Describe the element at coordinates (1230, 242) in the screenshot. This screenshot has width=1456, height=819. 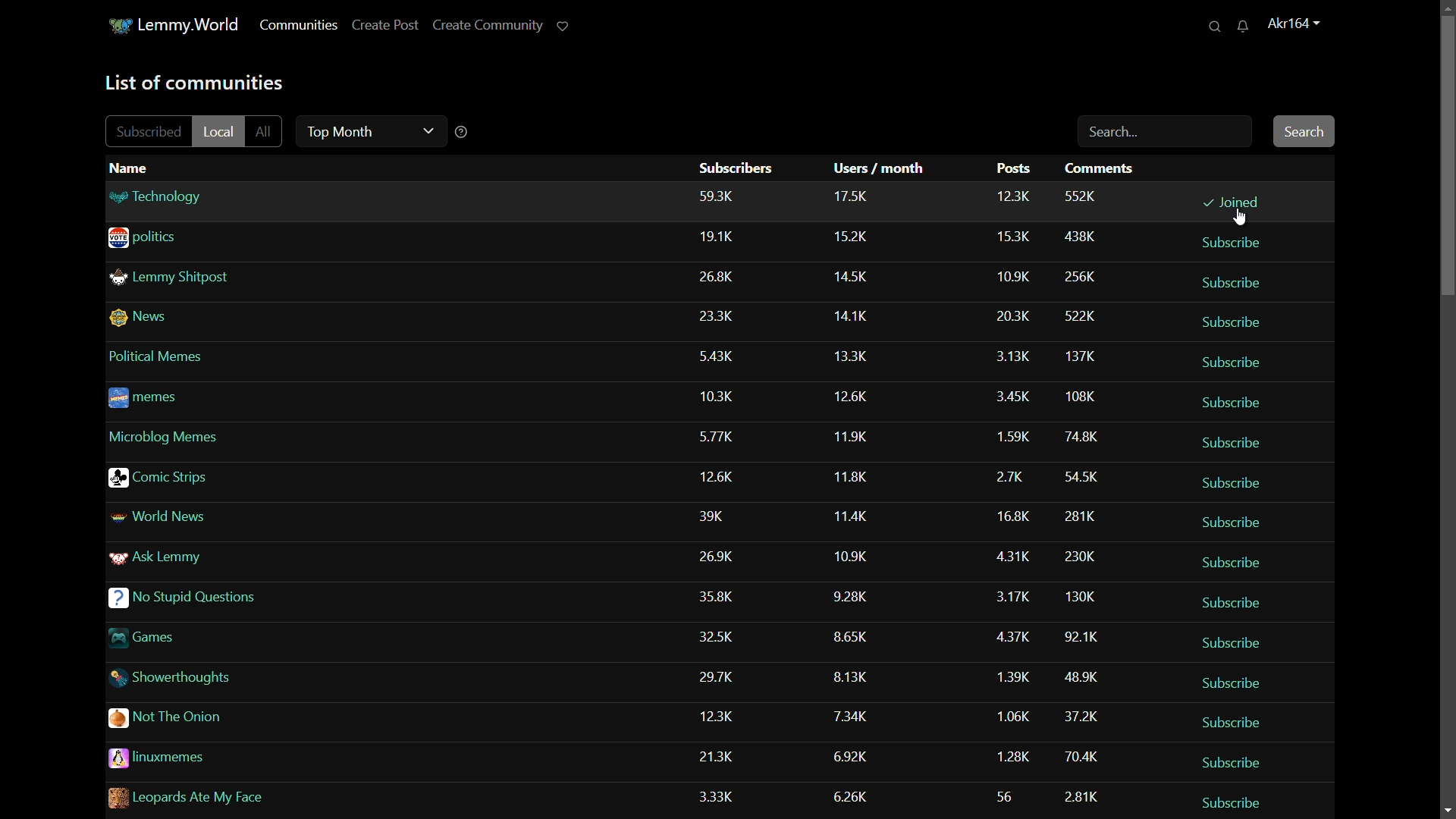
I see `subscribe/unsubscribe` at that location.